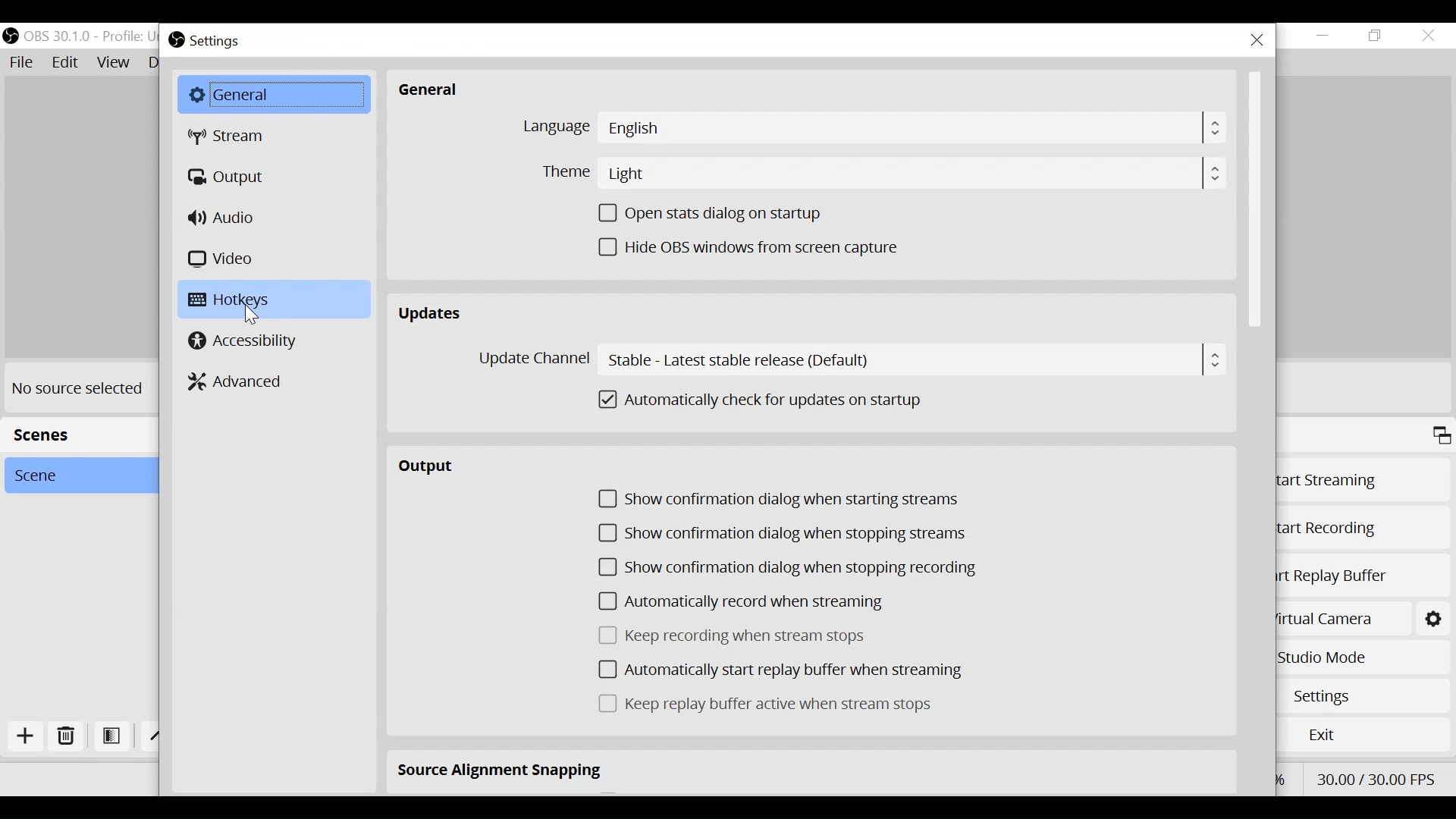 The image size is (1456, 819). Describe the element at coordinates (1323, 36) in the screenshot. I see `Minimize` at that location.